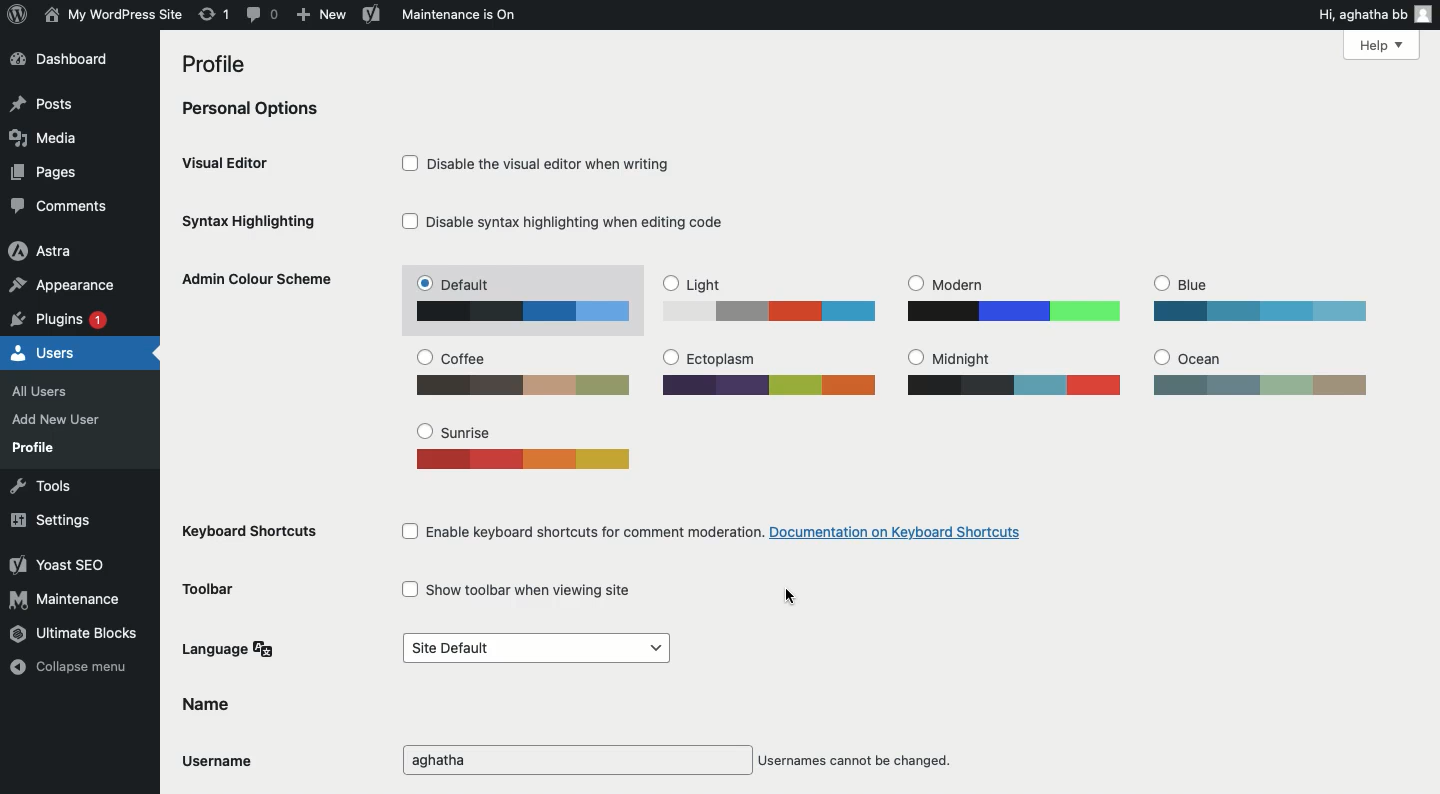 Image resolution: width=1440 pixels, height=794 pixels. I want to click on Enable keyboard shortcuts for comment moderation, so click(581, 533).